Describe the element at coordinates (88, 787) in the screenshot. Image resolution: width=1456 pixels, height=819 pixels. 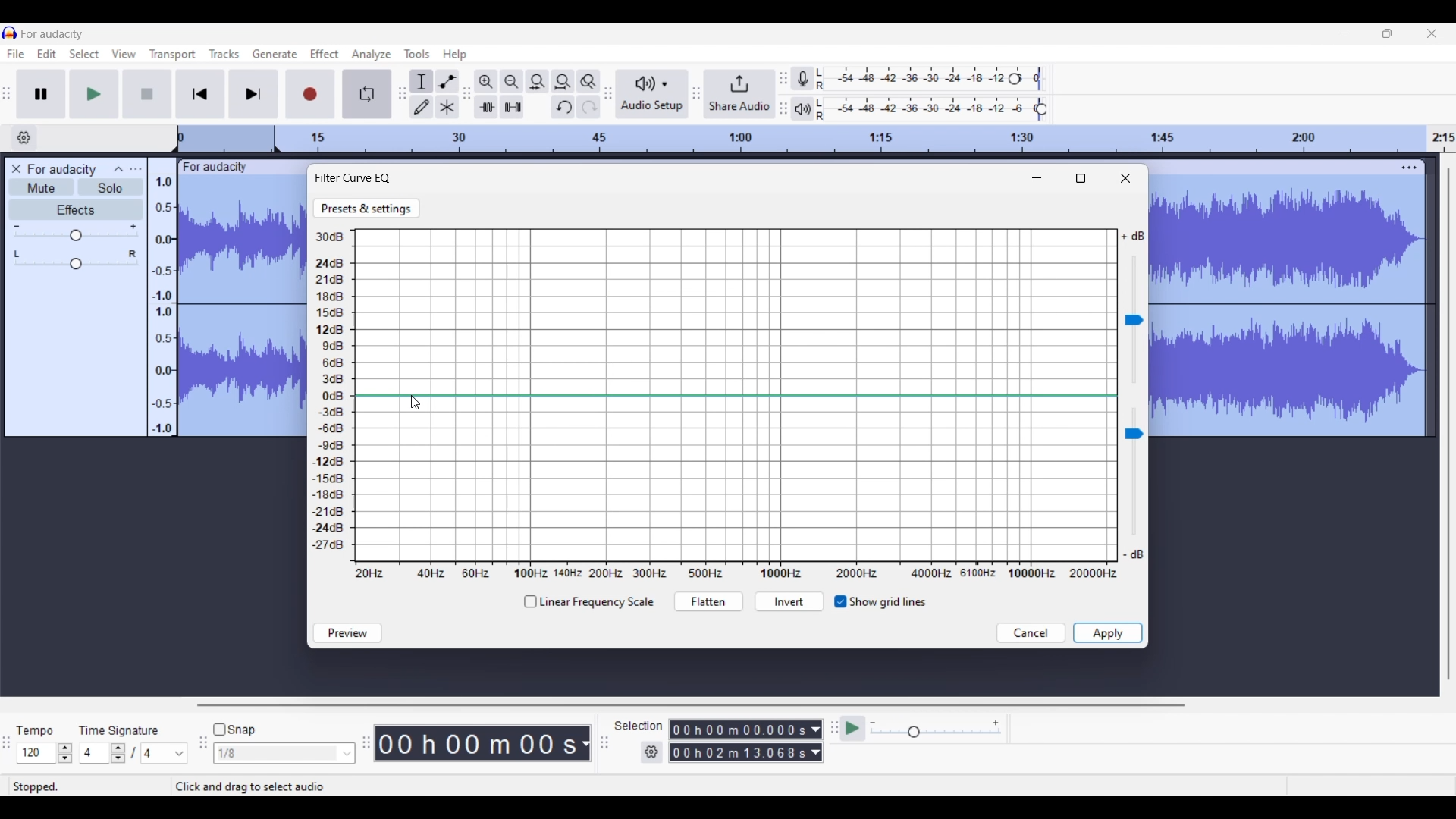
I see `Status of current recording` at that location.